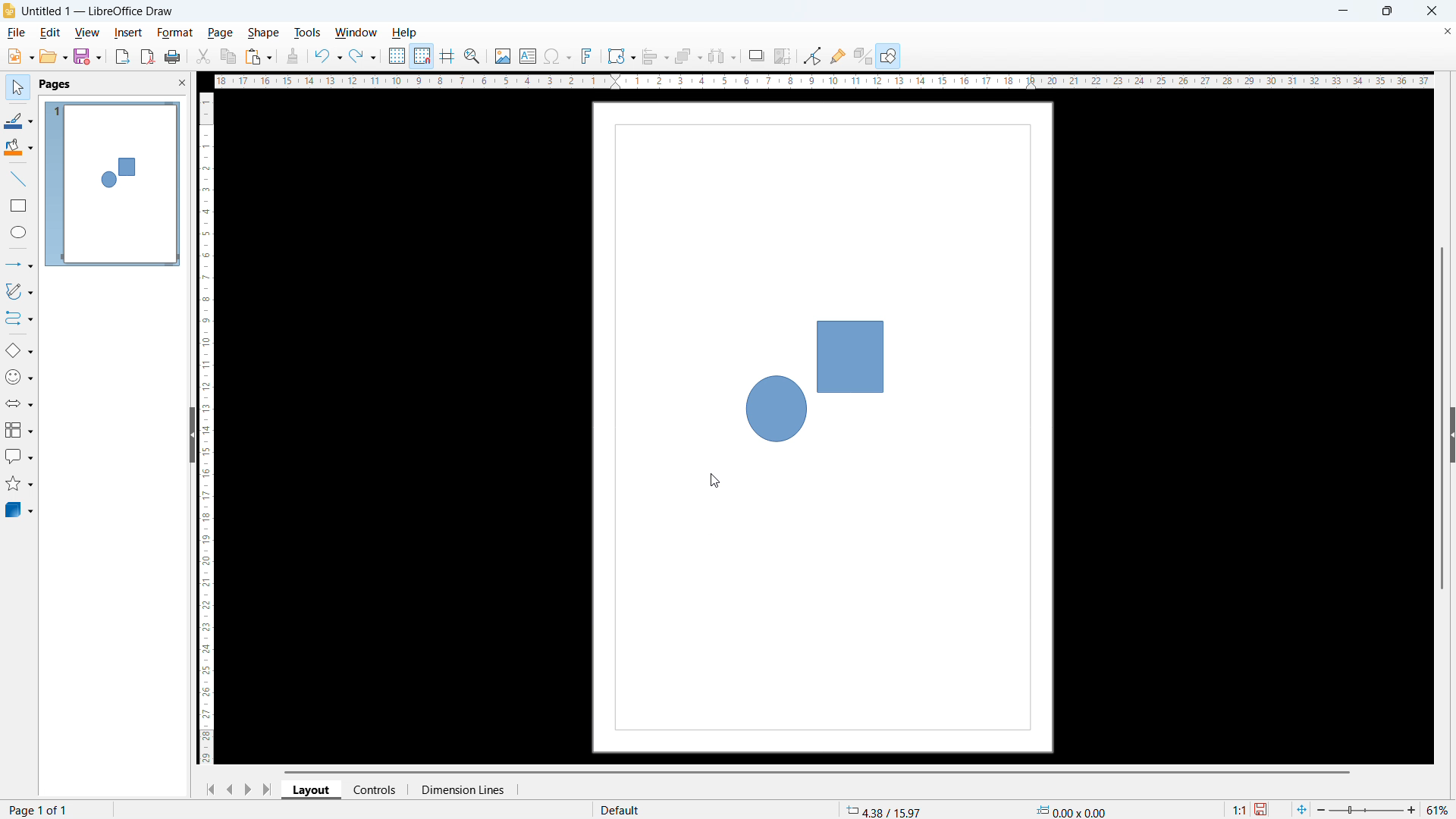 The height and width of the screenshot is (819, 1456). What do you see at coordinates (1341, 11) in the screenshot?
I see `minimize` at bounding box center [1341, 11].